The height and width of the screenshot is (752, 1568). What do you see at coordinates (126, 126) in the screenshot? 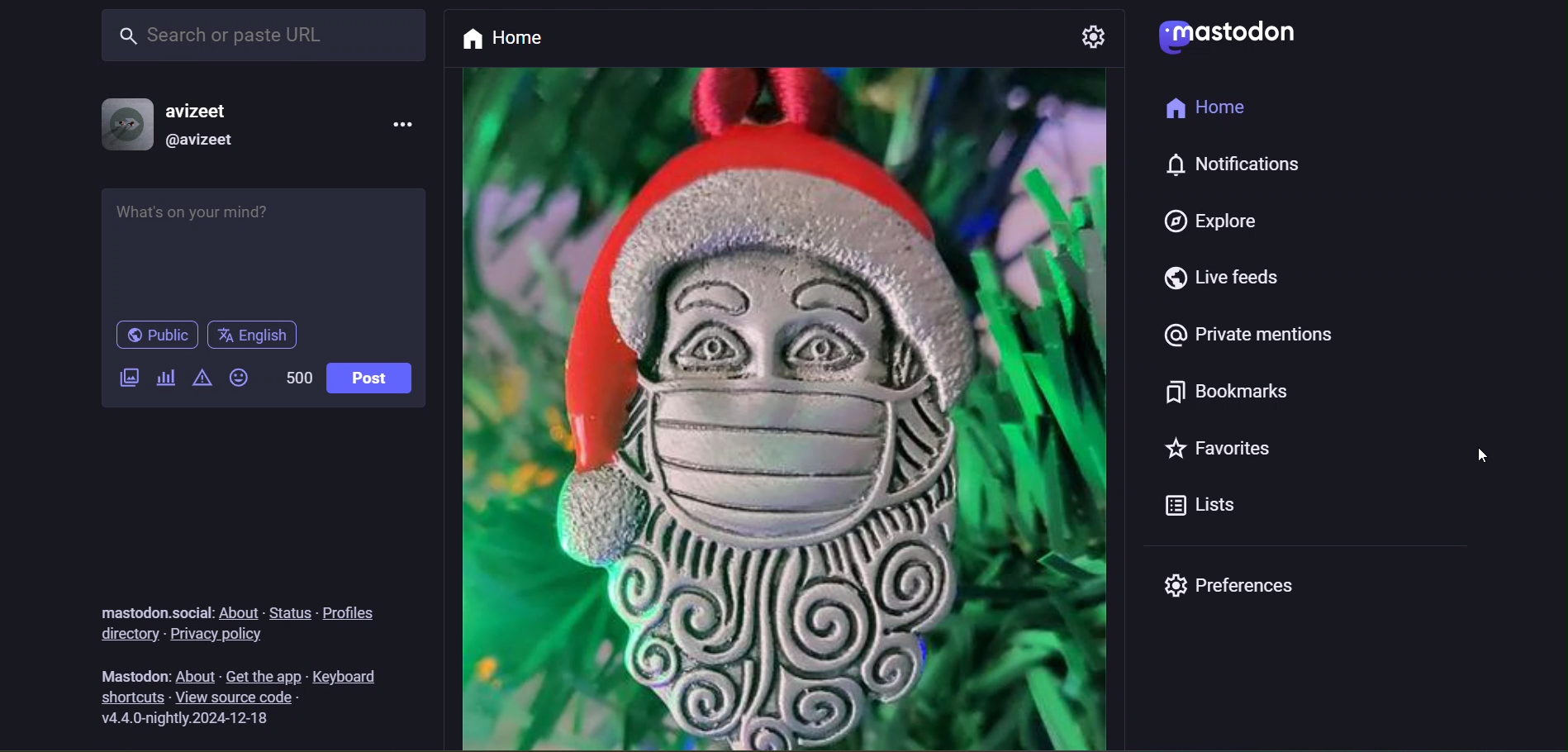
I see `profile picture` at bounding box center [126, 126].